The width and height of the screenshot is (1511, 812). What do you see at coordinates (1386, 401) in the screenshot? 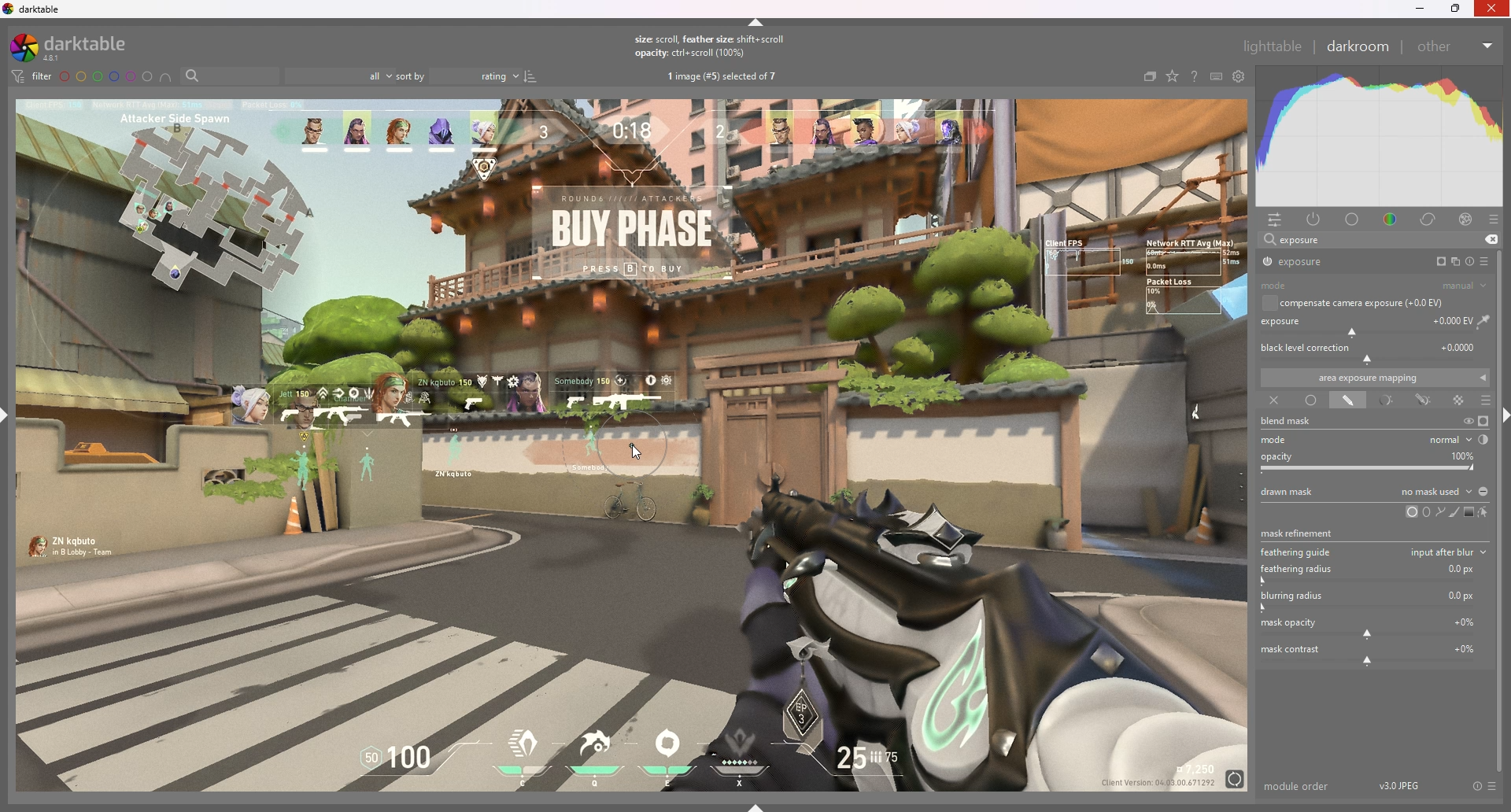
I see `parametric mask` at bounding box center [1386, 401].